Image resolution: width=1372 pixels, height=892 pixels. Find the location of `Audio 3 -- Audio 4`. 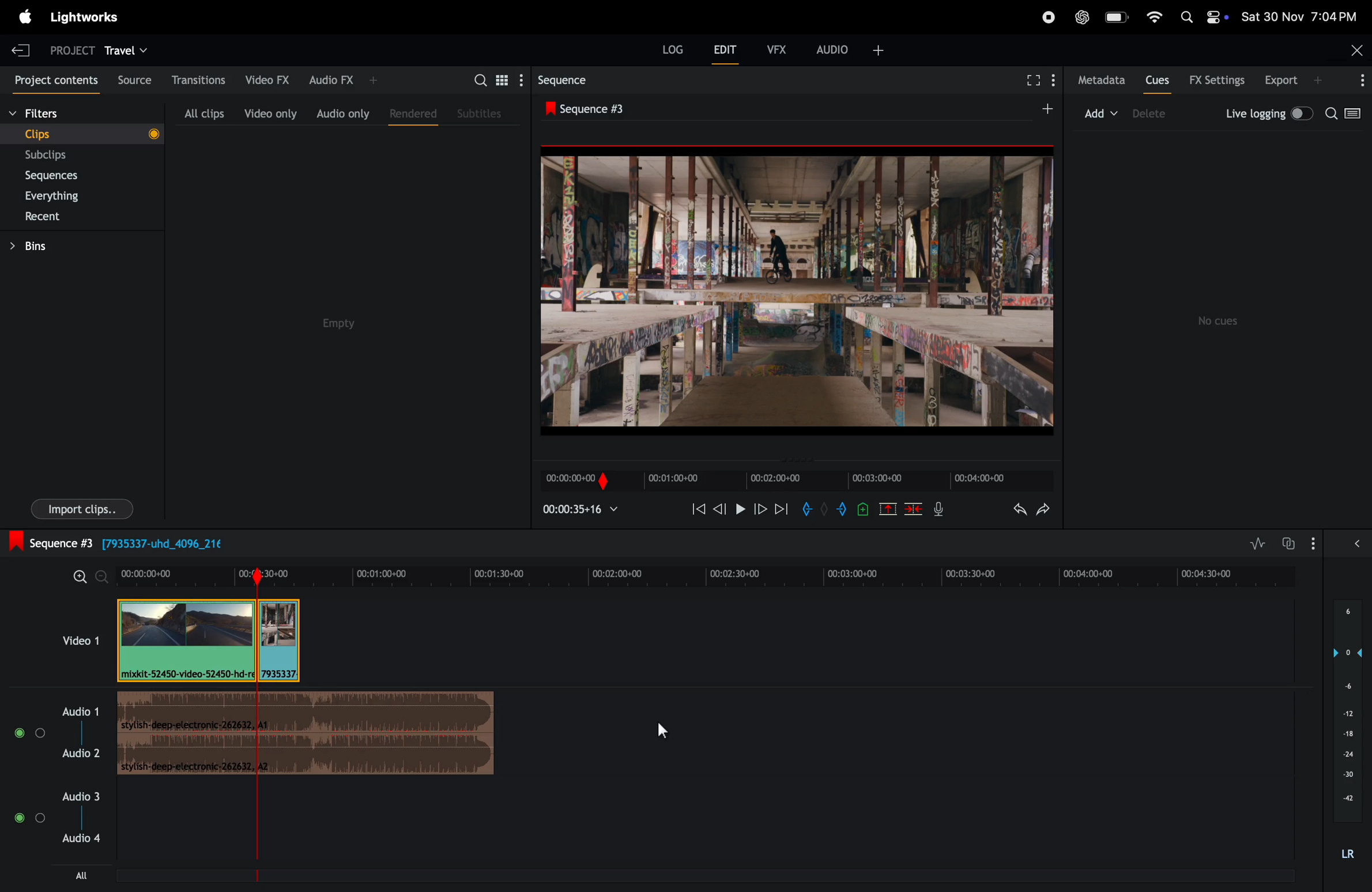

Audio 3 -- Audio 4 is located at coordinates (80, 810).